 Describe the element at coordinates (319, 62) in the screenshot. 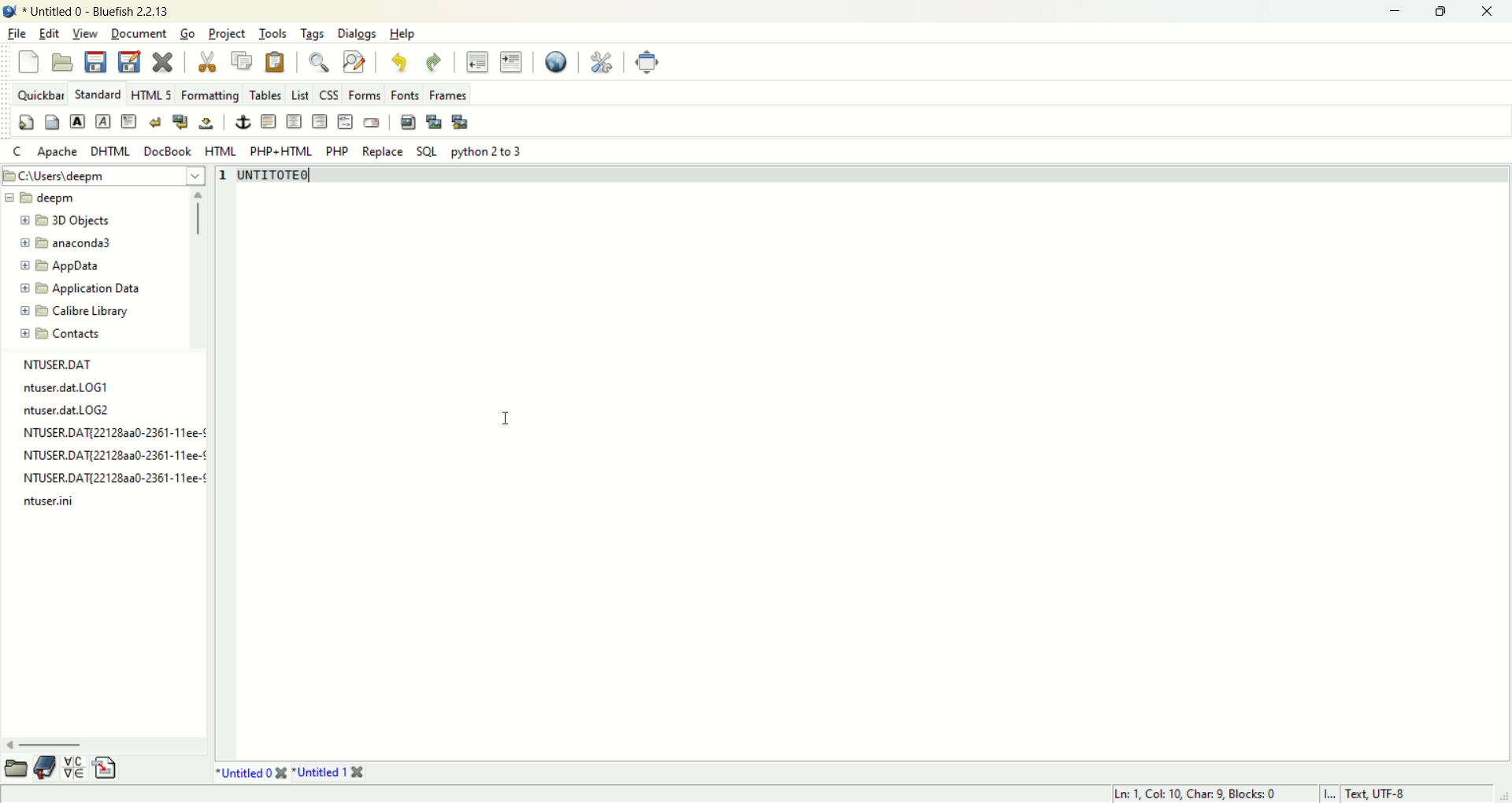

I see `show find bar` at that location.